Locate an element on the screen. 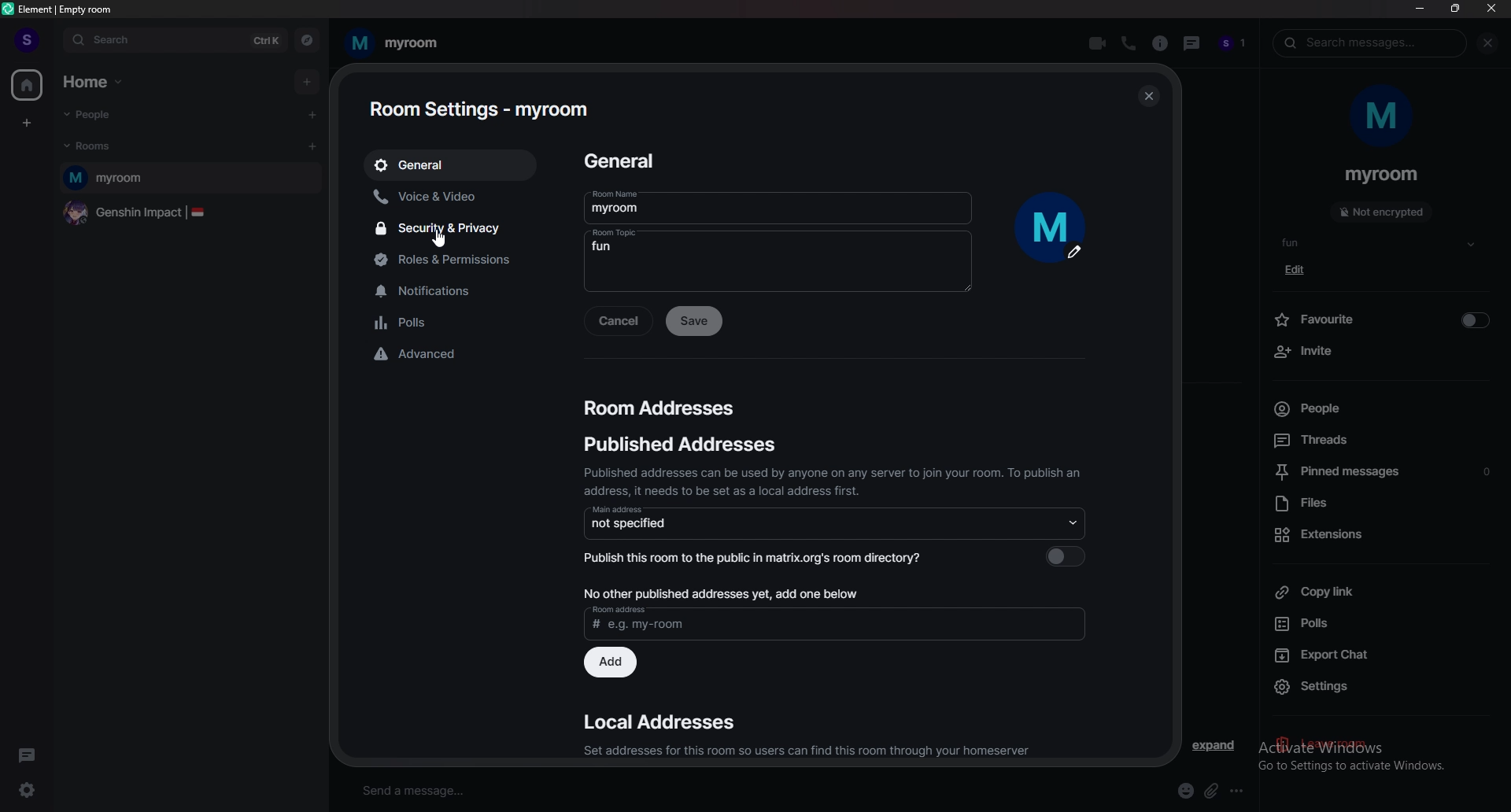  create a space is located at coordinates (25, 125).